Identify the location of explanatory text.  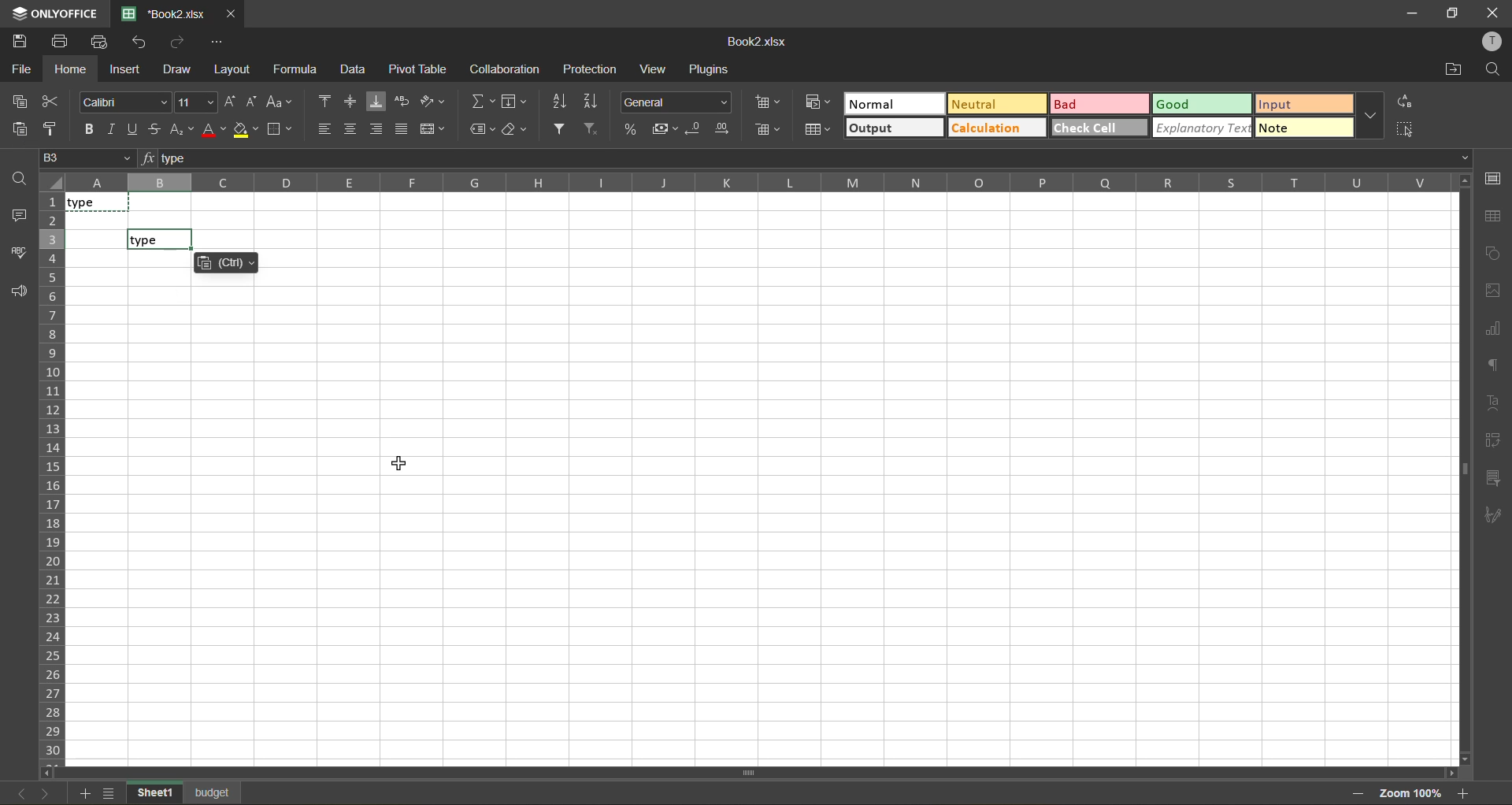
(1202, 128).